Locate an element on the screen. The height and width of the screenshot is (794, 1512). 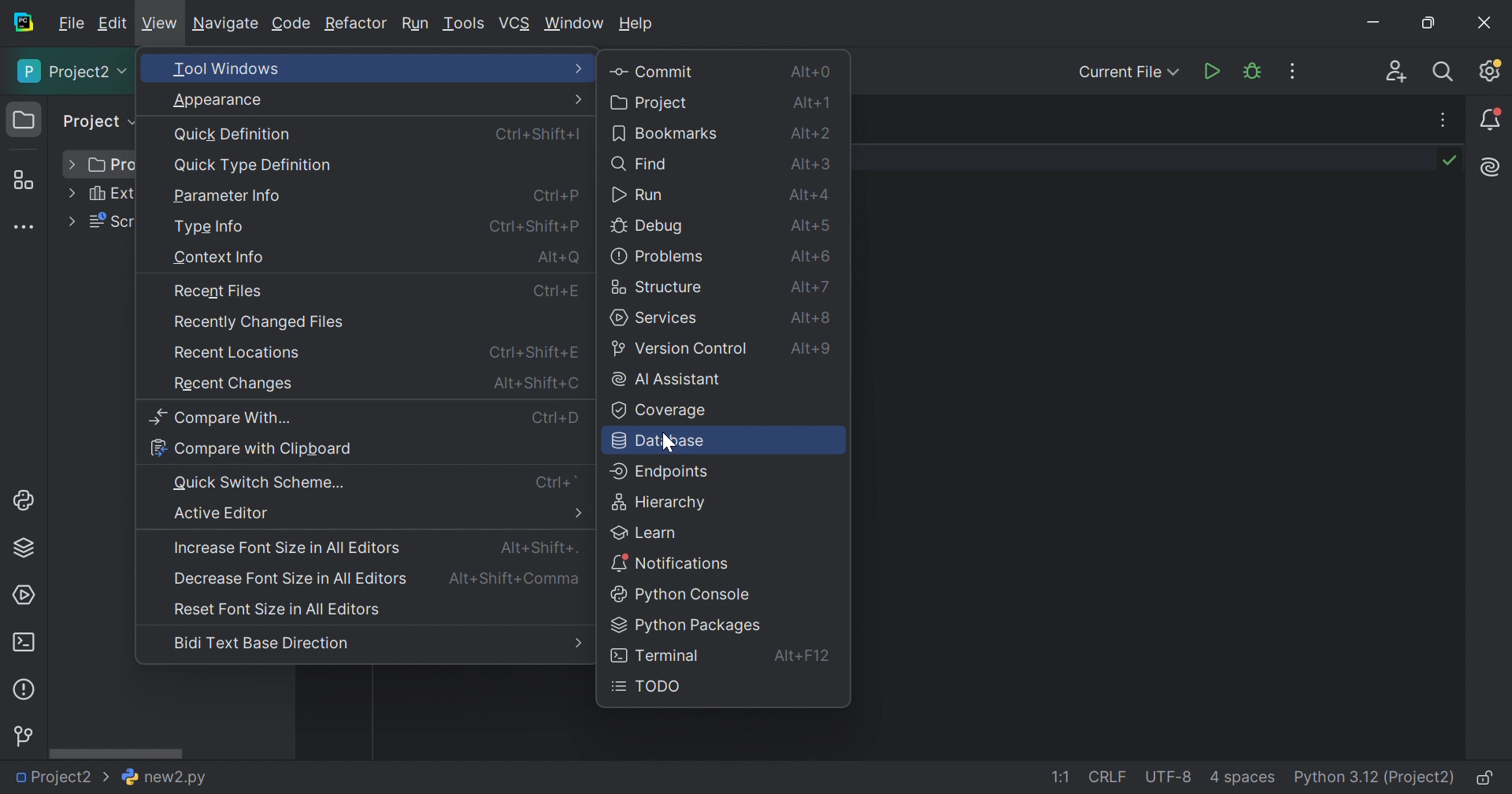
More is located at coordinates (580, 68).